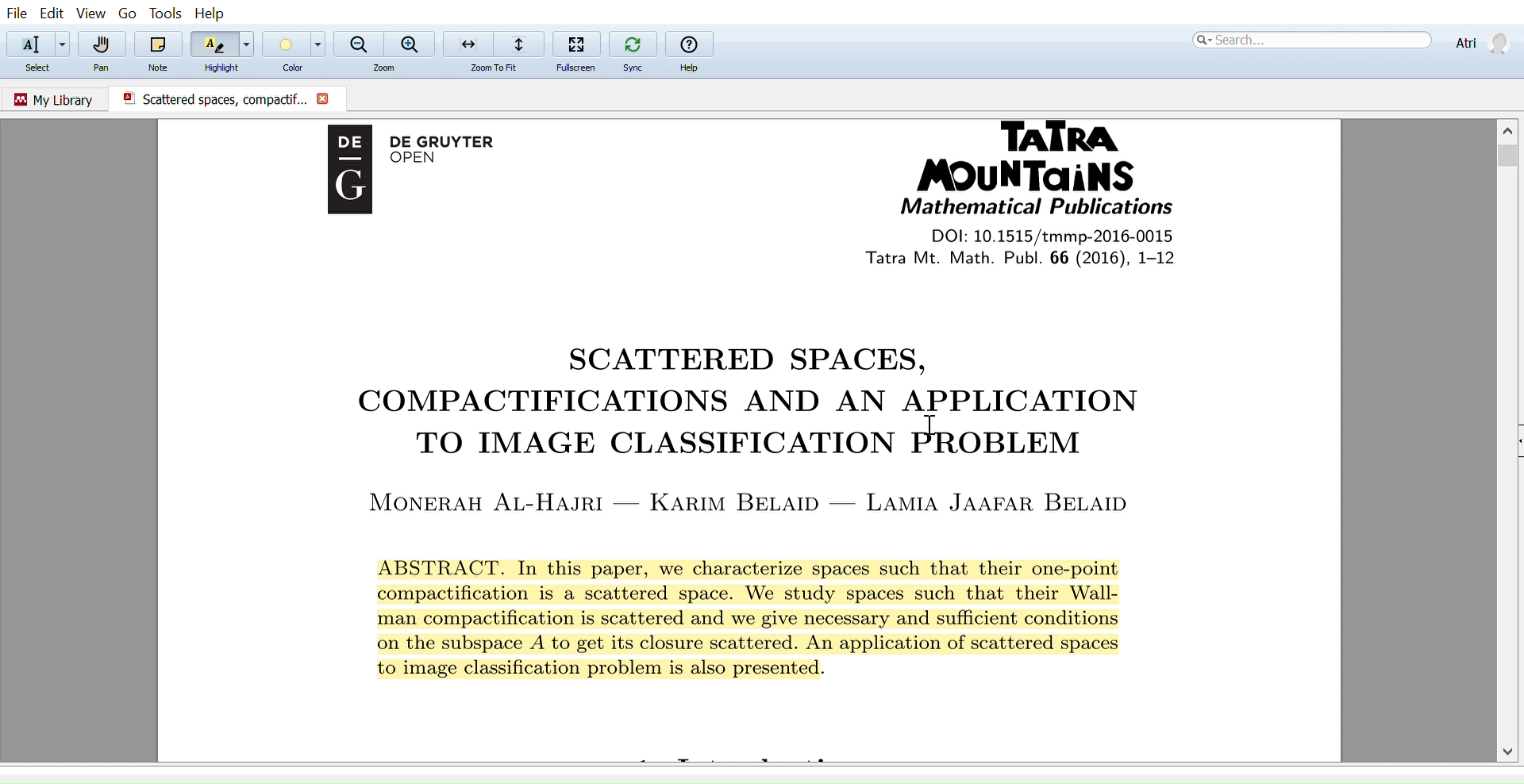  I want to click on Note, so click(159, 44).